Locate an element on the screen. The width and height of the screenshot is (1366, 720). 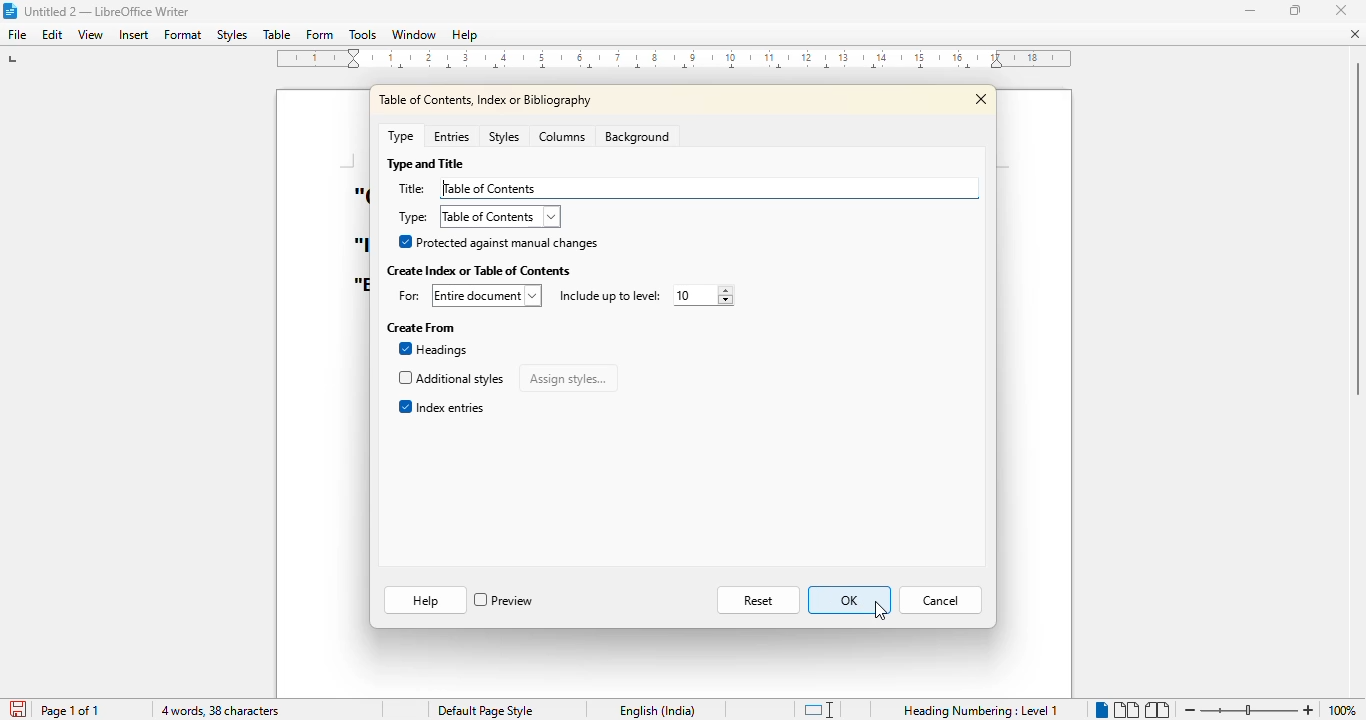
maximize is located at coordinates (1294, 10).